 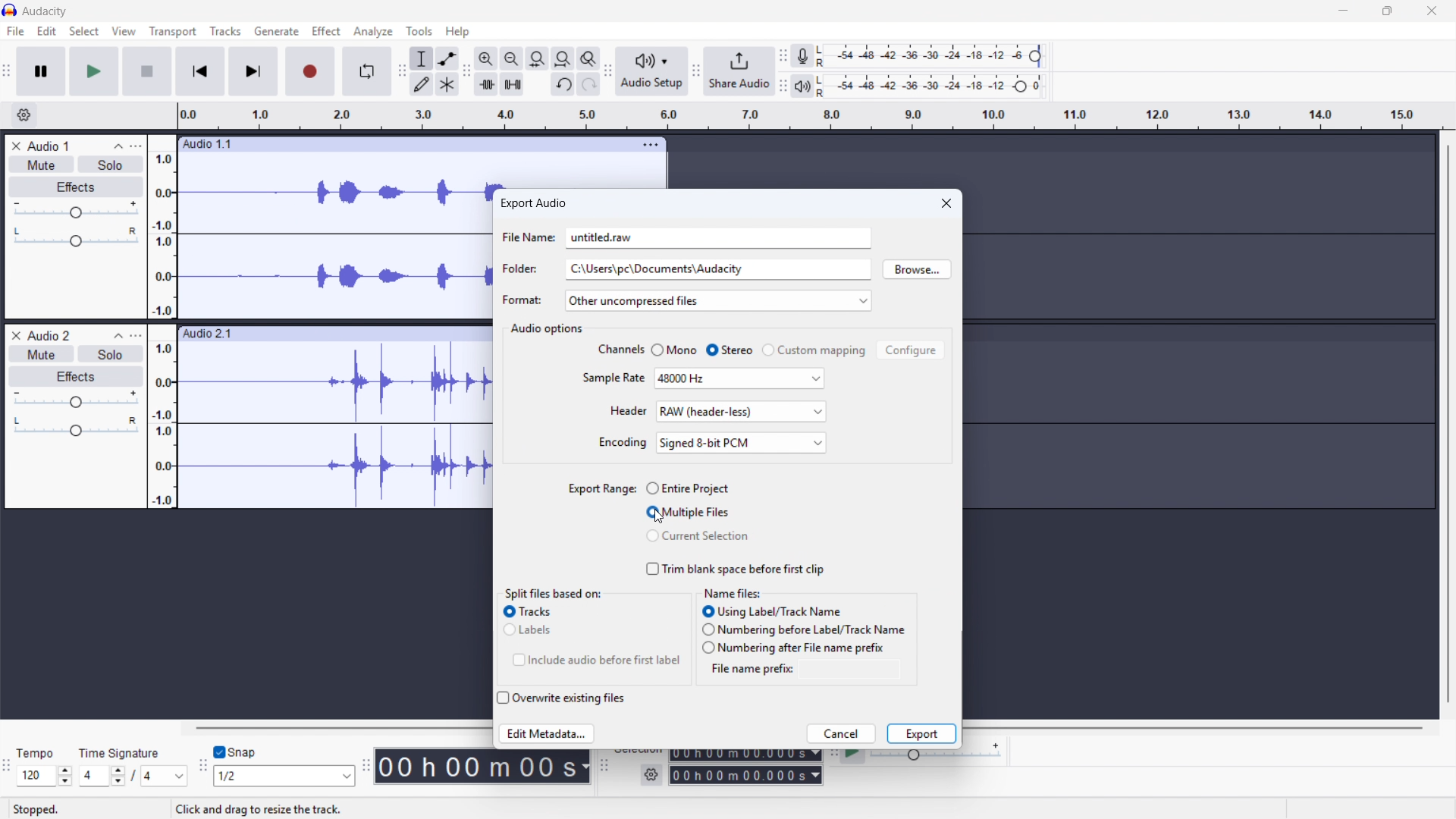 What do you see at coordinates (39, 754) in the screenshot?
I see `tempo` at bounding box center [39, 754].